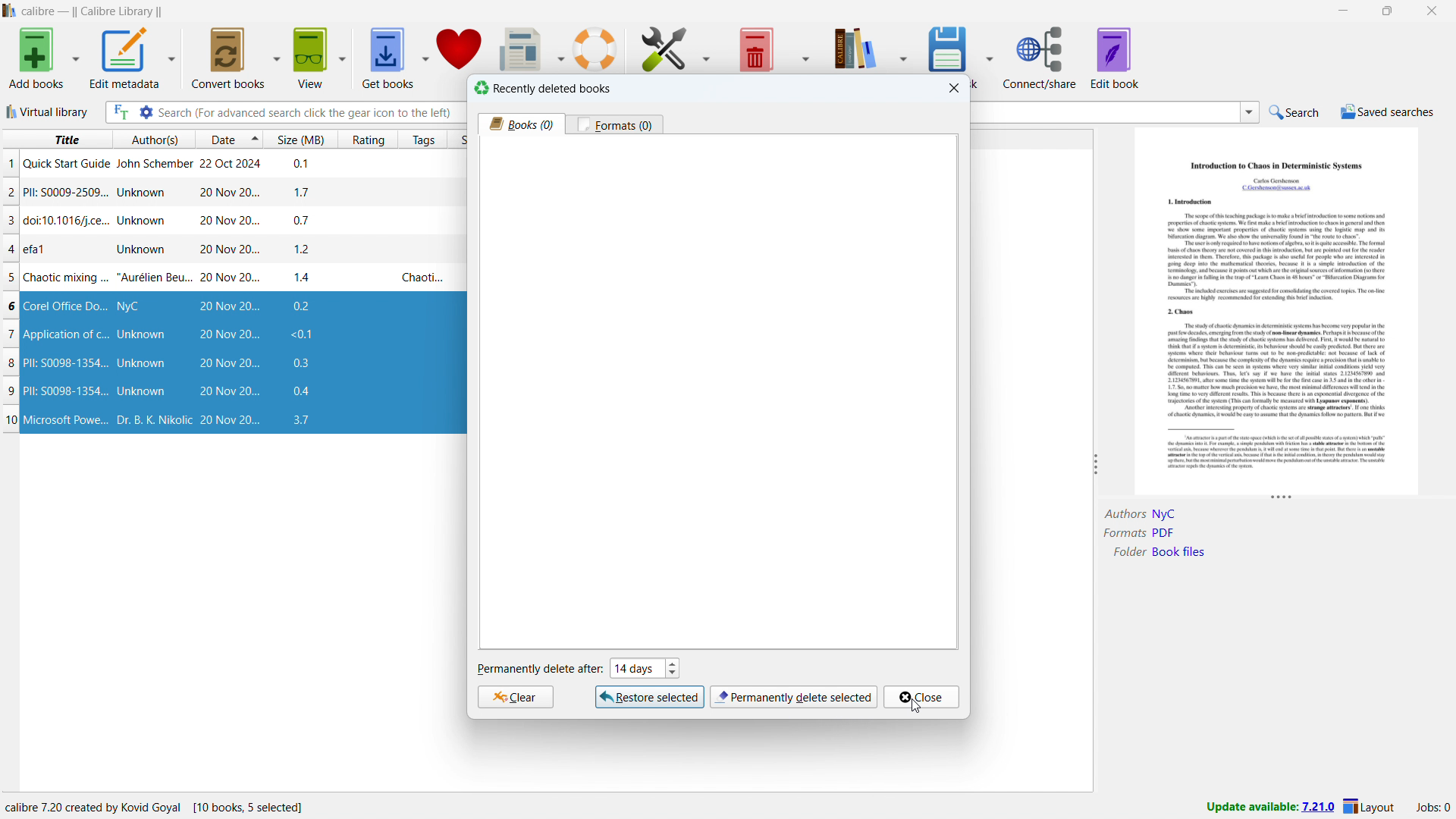 Image resolution: width=1456 pixels, height=819 pixels. What do you see at coordinates (804, 45) in the screenshot?
I see `remove books options` at bounding box center [804, 45].